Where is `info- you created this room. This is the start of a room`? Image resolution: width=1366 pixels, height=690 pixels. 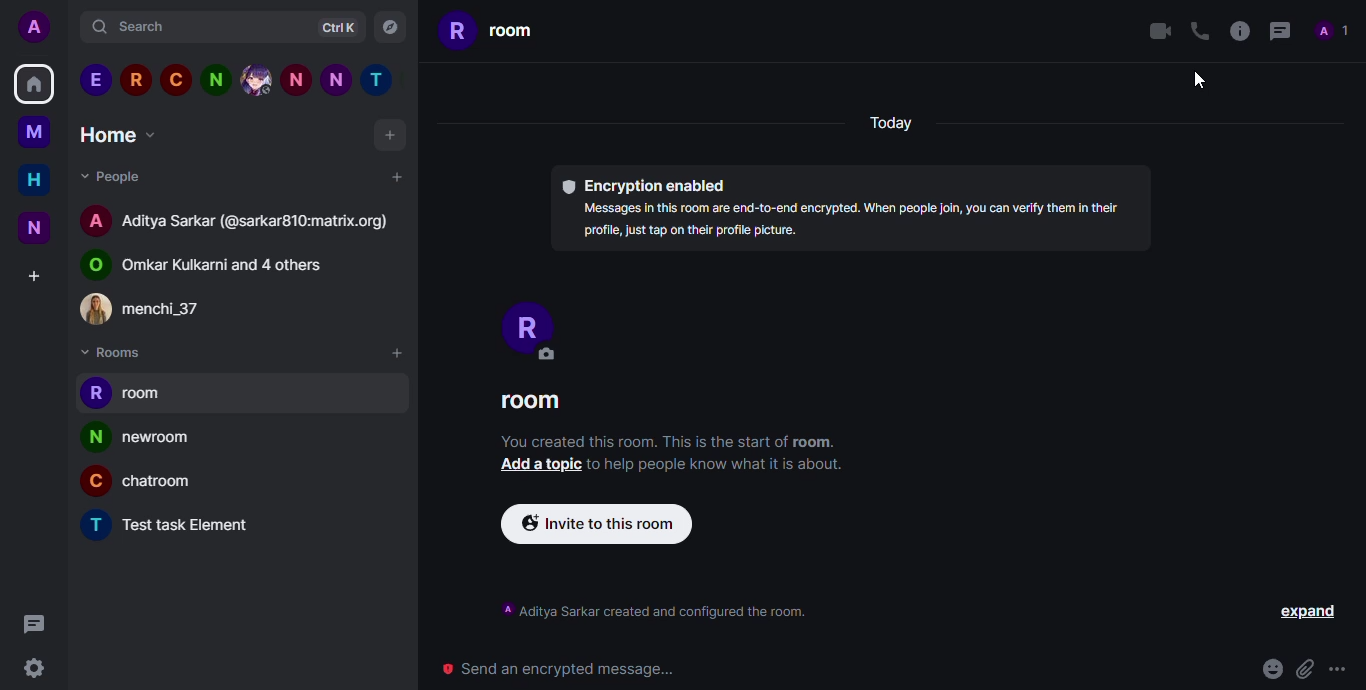 info- you created this room. This is the start of a room is located at coordinates (663, 441).